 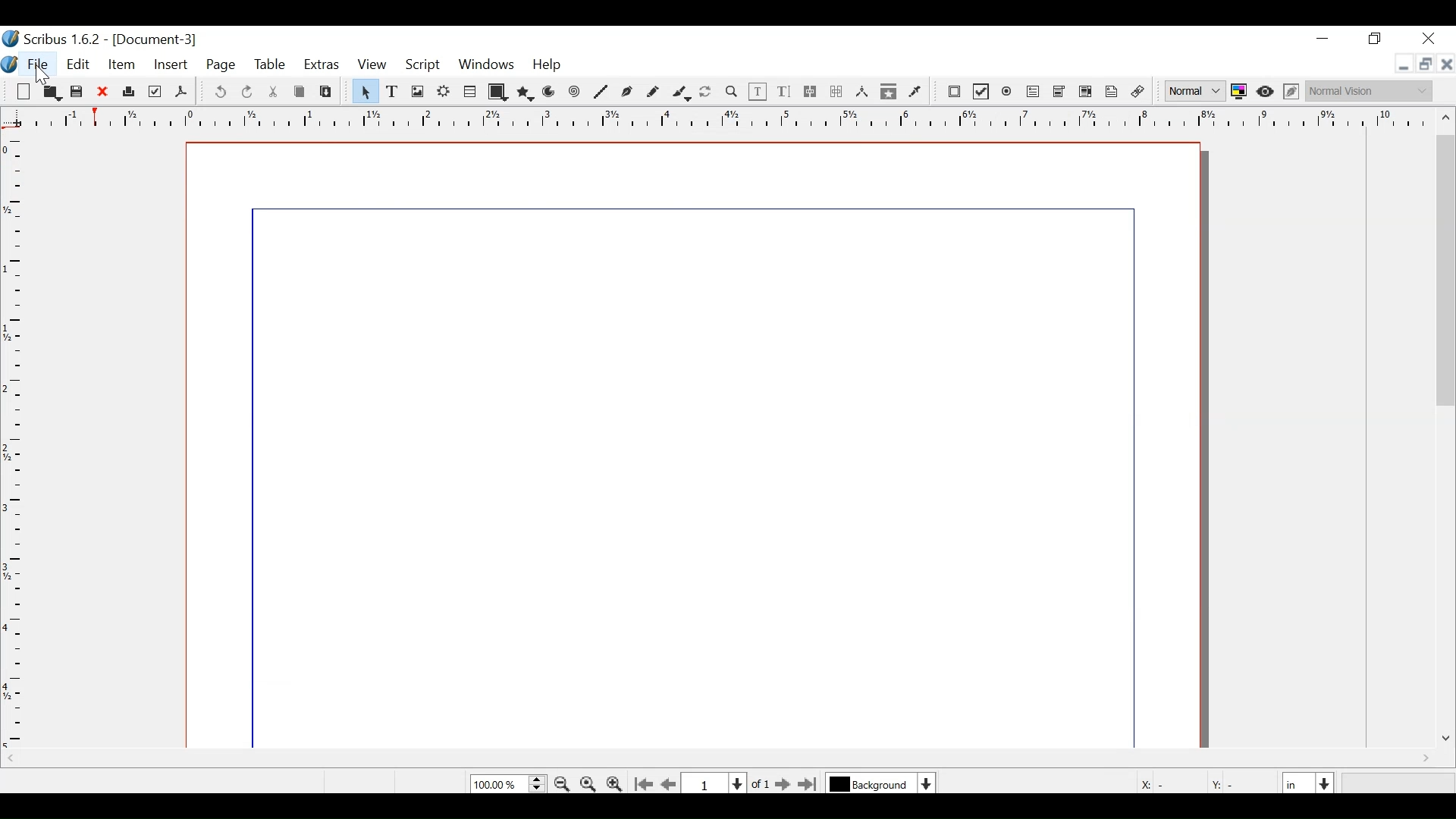 What do you see at coordinates (1007, 92) in the screenshot?
I see `PDF Radio Button` at bounding box center [1007, 92].